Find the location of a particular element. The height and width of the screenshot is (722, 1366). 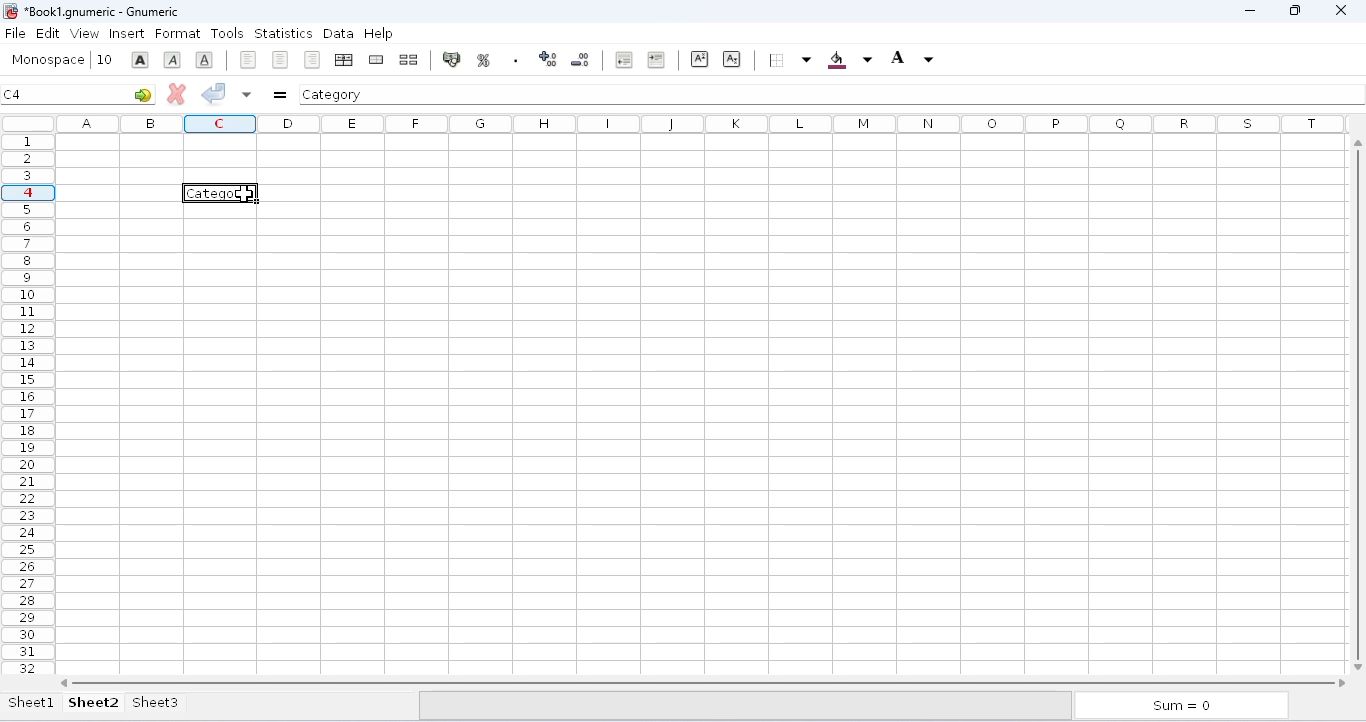

sheet2 is located at coordinates (94, 702).